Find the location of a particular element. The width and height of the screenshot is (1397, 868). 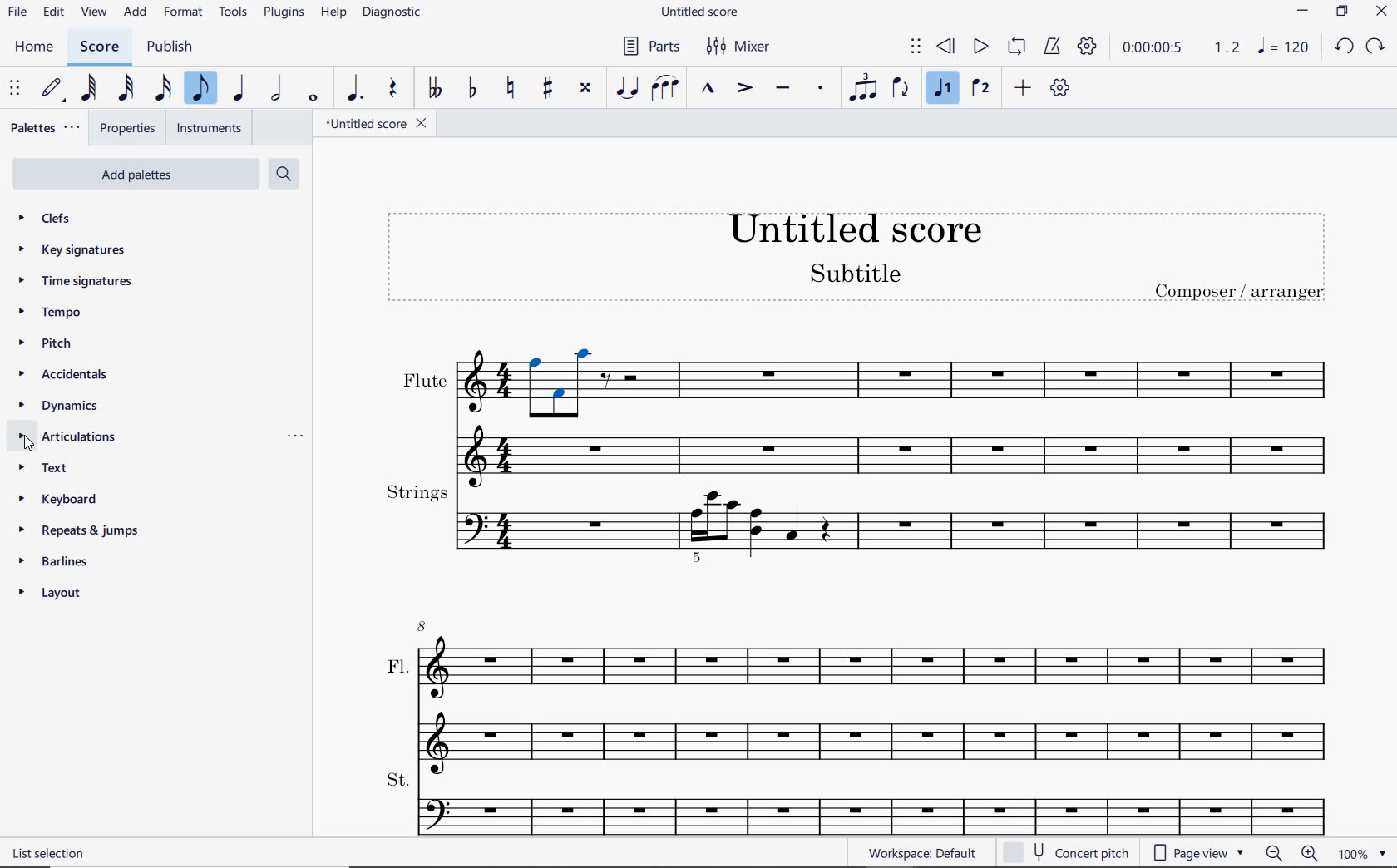

TIE is located at coordinates (626, 86).